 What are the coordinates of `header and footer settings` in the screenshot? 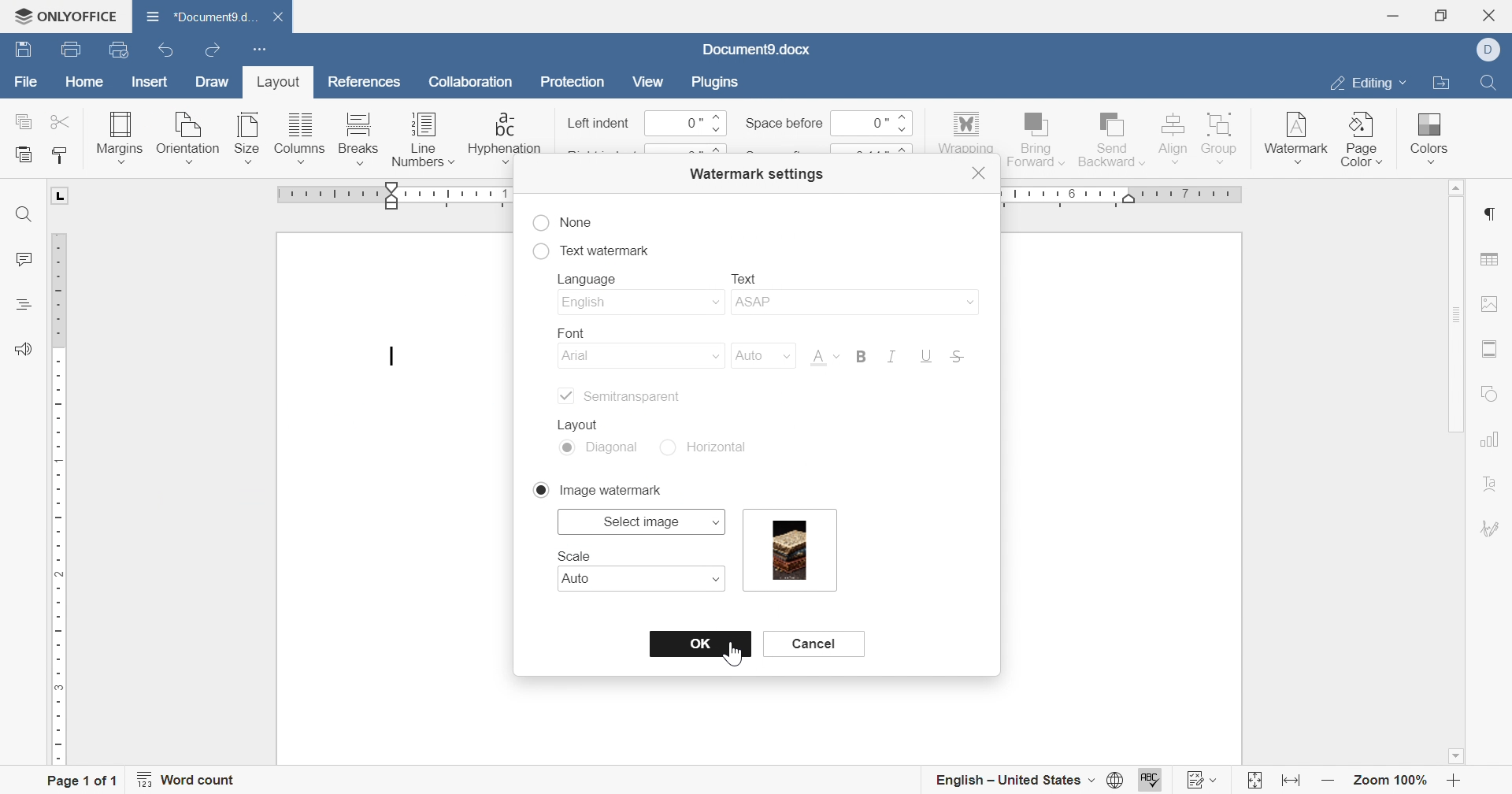 It's located at (1487, 349).